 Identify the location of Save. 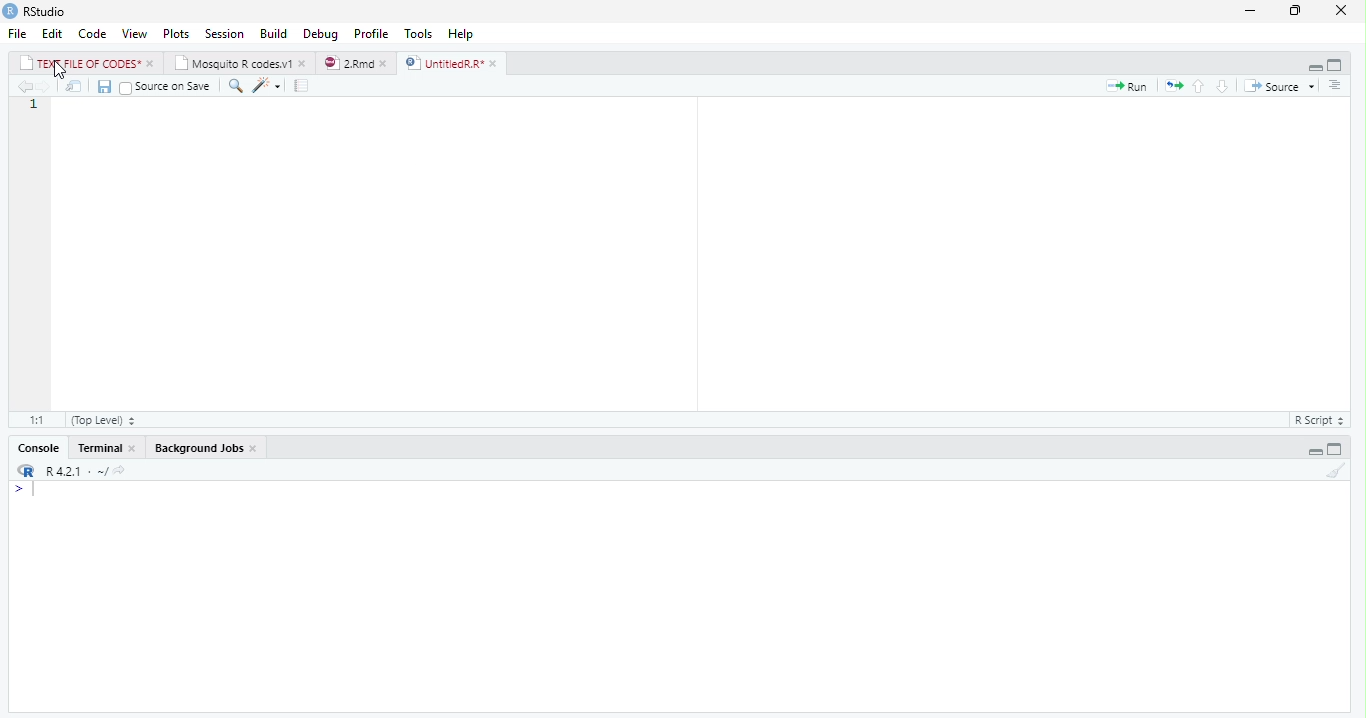
(103, 87).